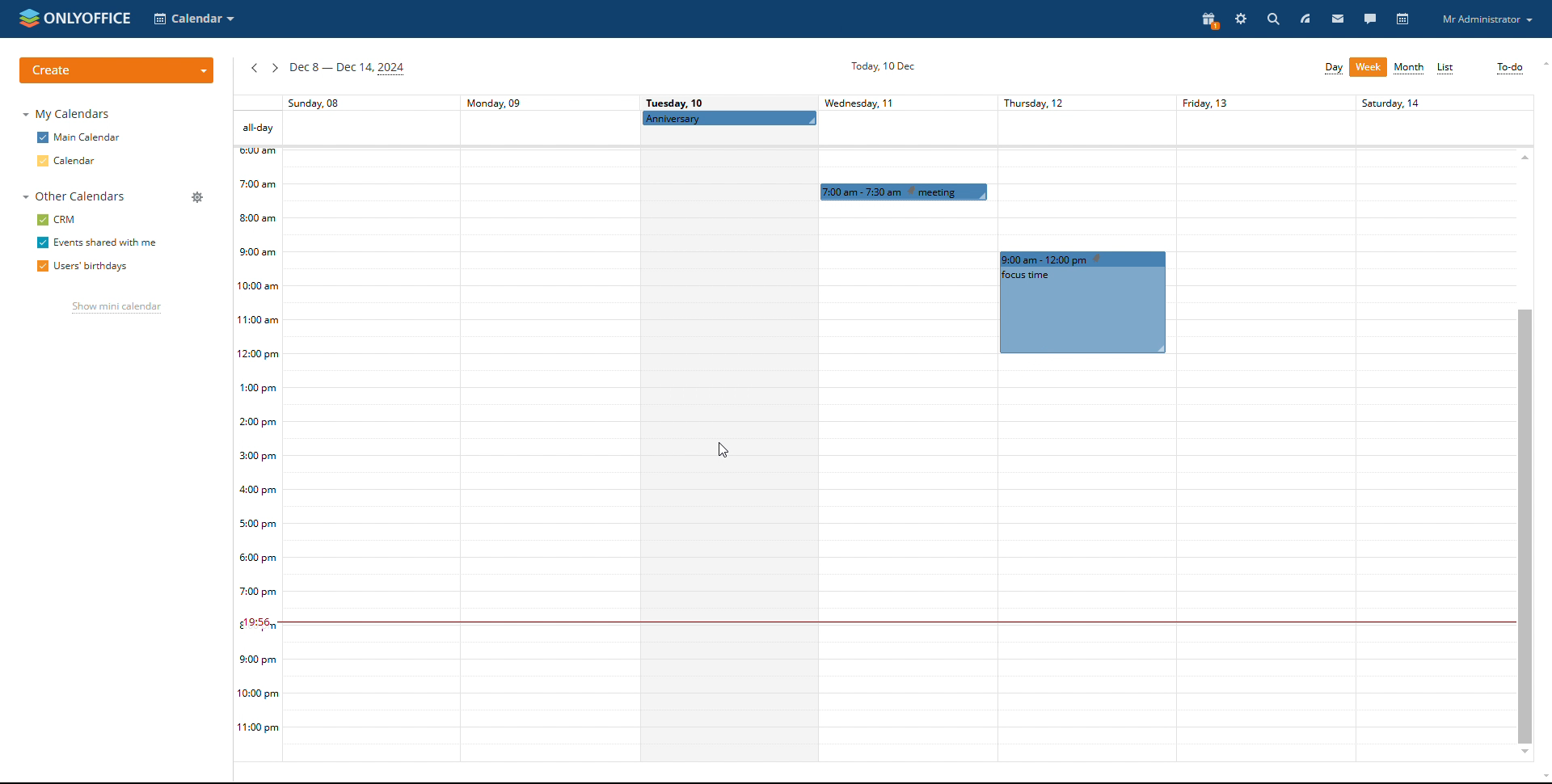  I want to click on current week, so click(348, 70).